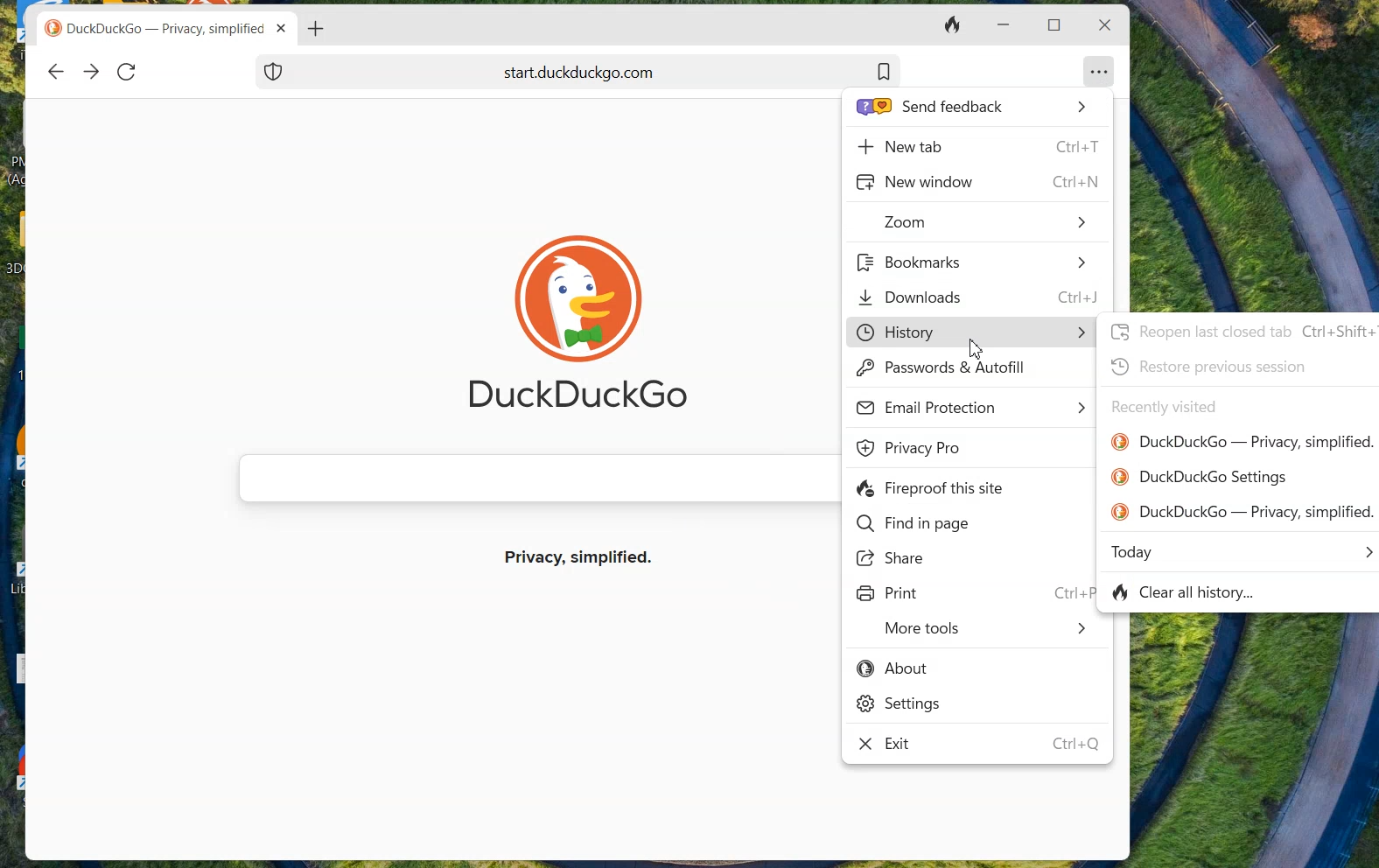 The height and width of the screenshot is (868, 1379). I want to click on More tools, so click(986, 631).